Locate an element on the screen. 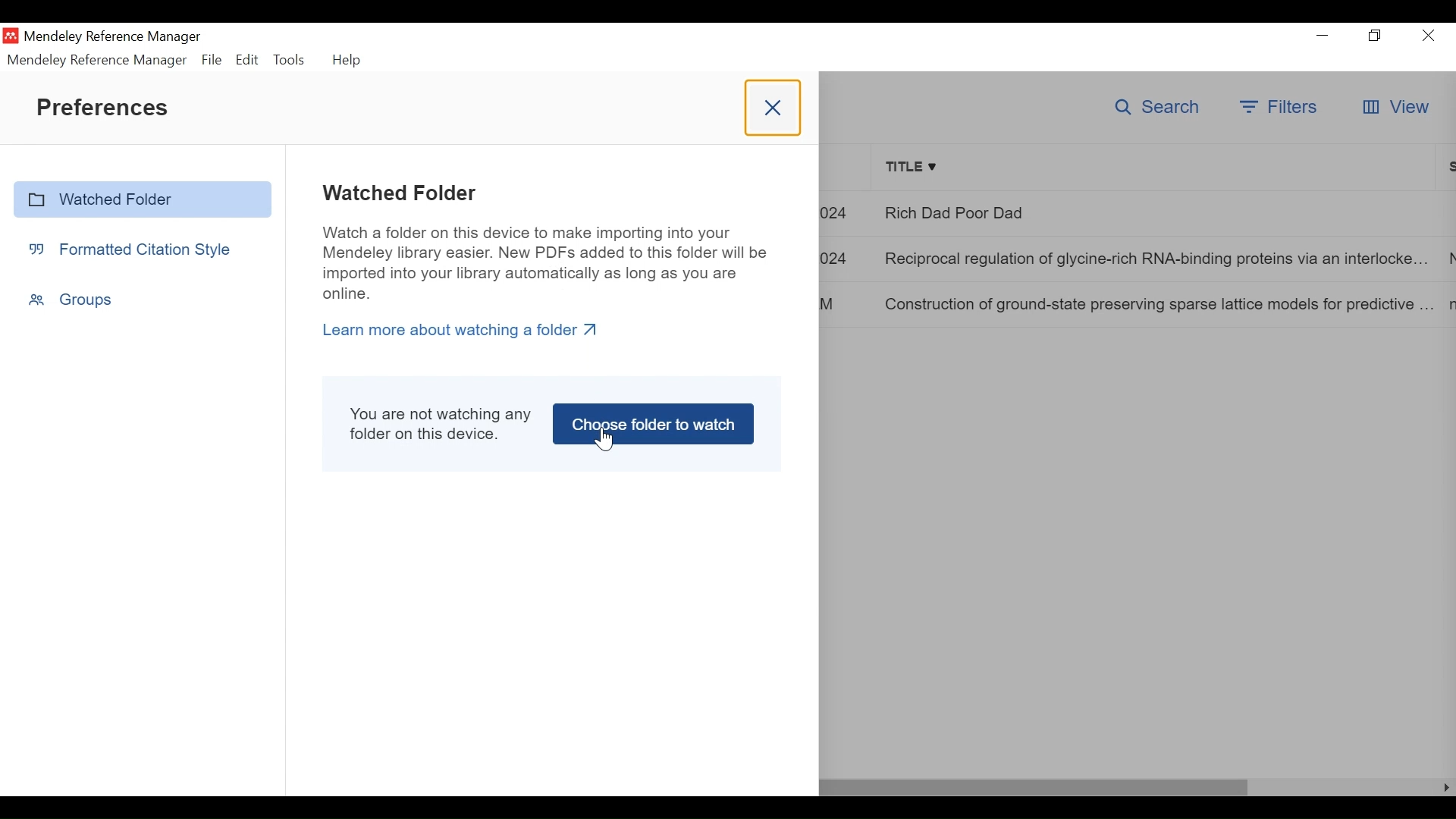  Restore is located at coordinates (1378, 35).